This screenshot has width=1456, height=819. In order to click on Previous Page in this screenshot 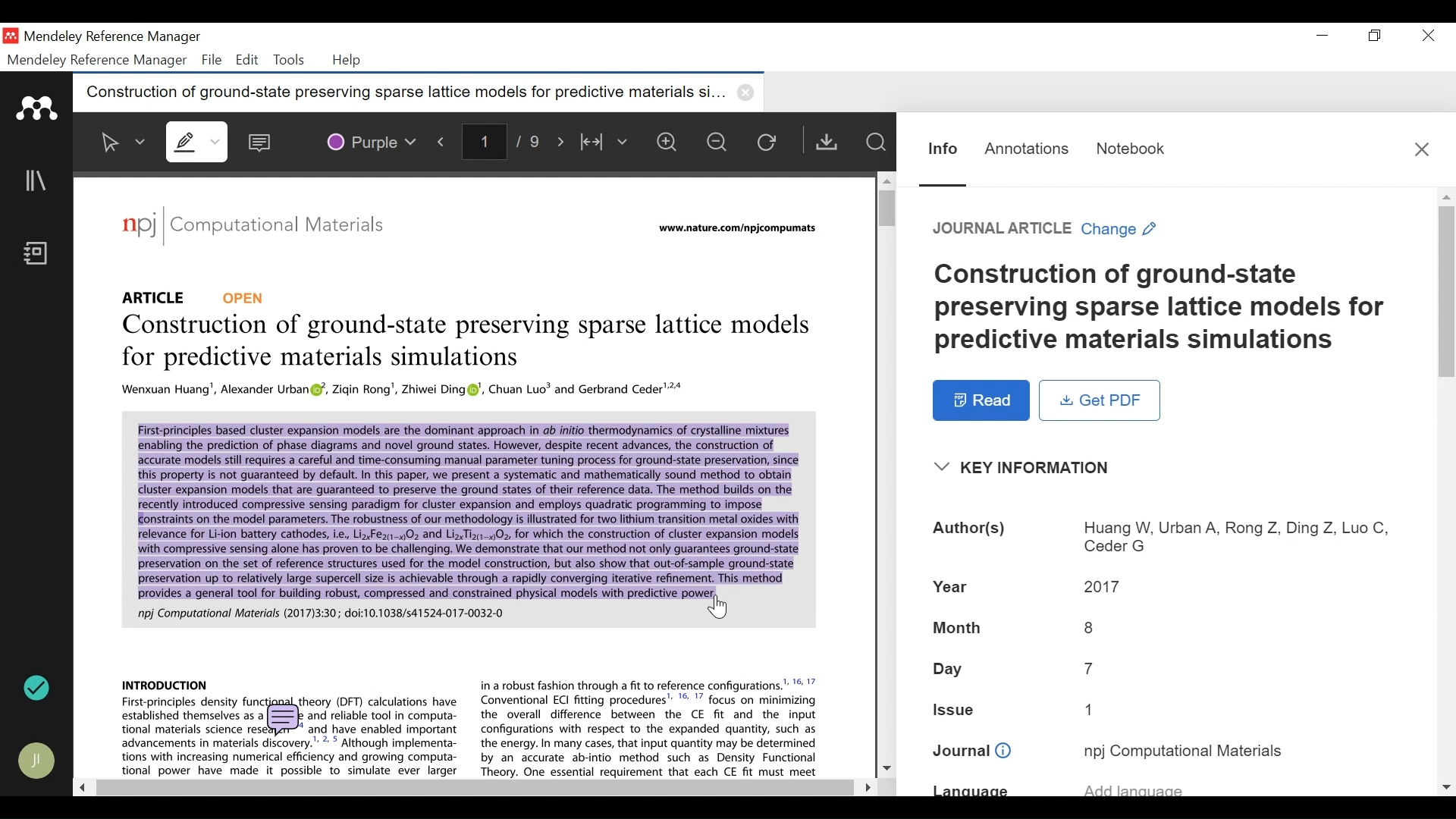, I will do `click(444, 139)`.